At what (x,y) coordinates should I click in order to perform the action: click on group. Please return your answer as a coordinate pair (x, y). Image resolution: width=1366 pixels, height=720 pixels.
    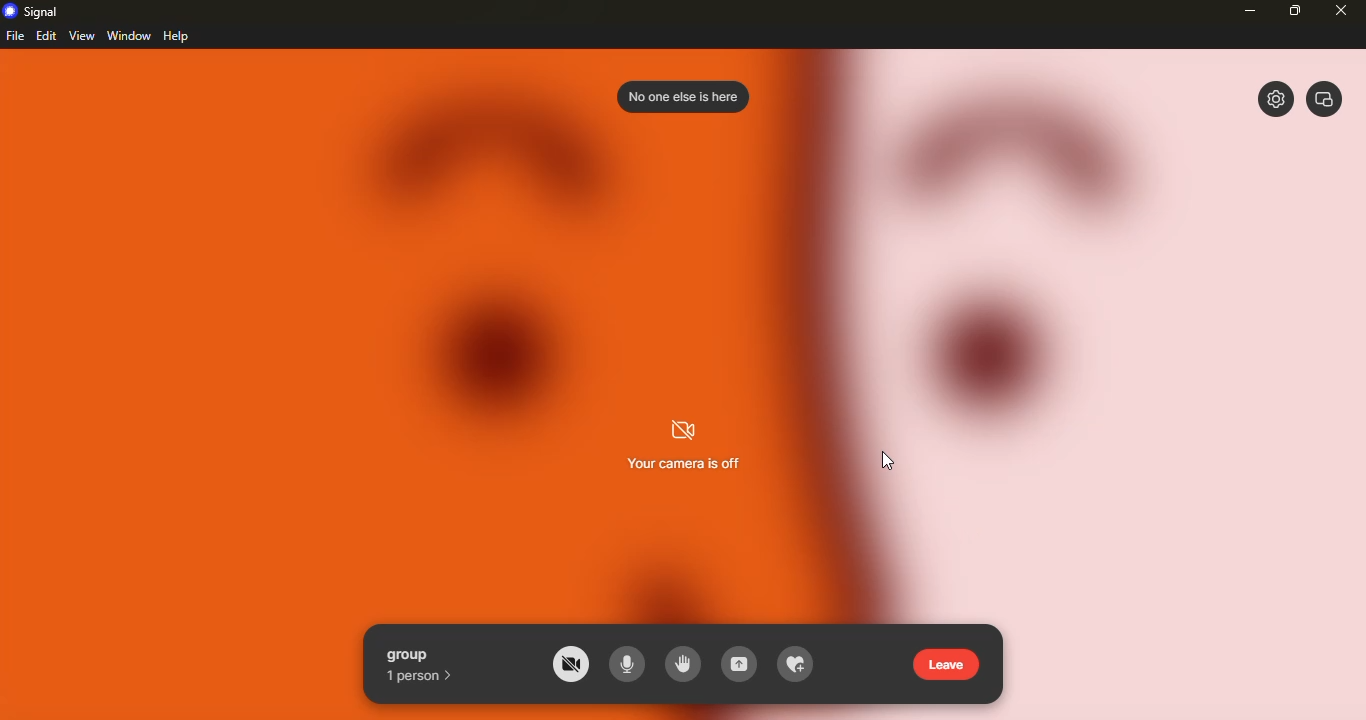
    Looking at the image, I should click on (409, 654).